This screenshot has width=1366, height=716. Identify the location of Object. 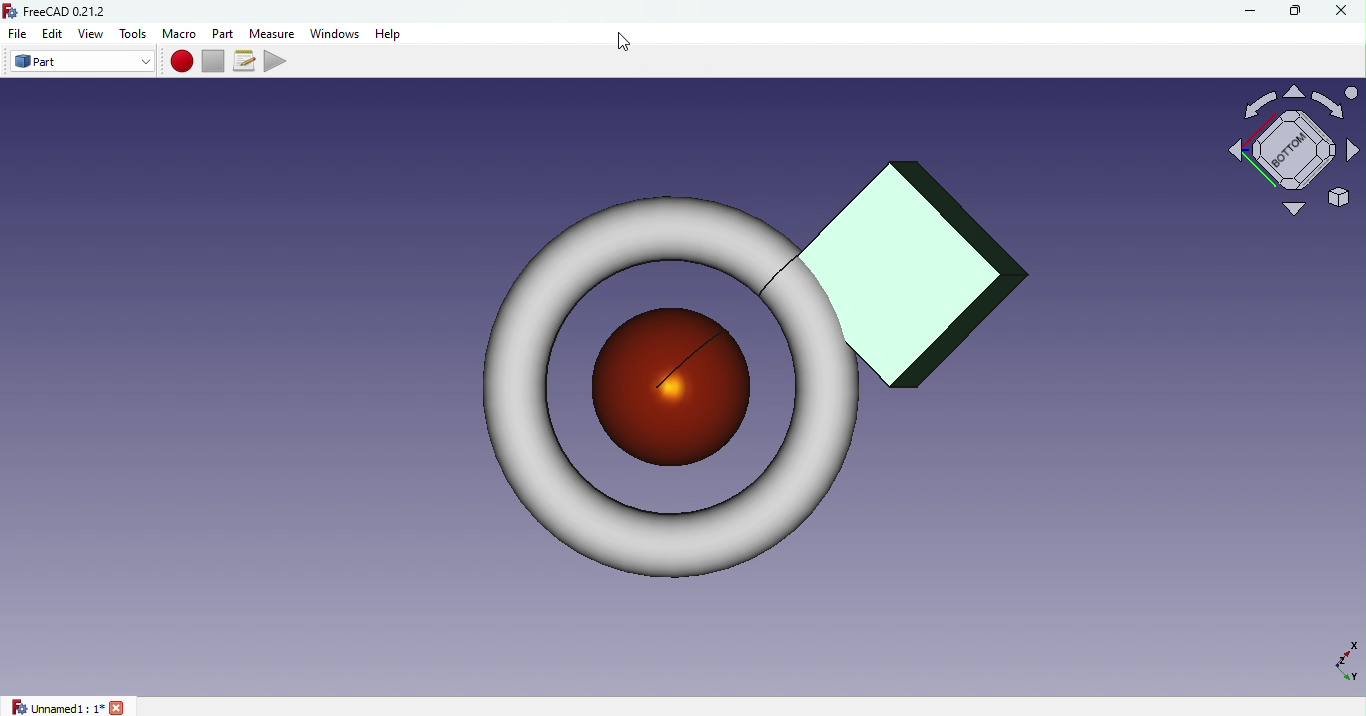
(744, 369).